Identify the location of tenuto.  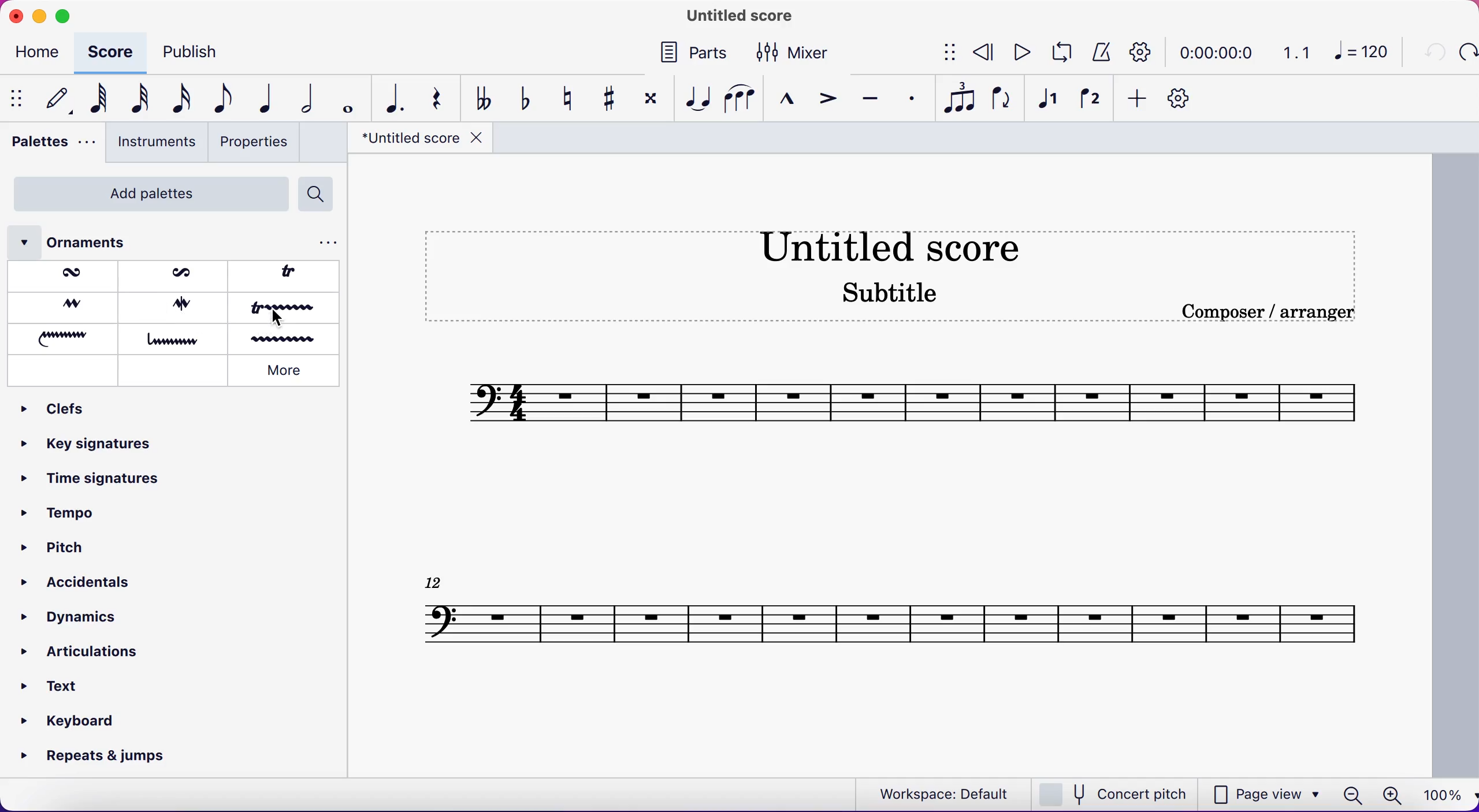
(872, 98).